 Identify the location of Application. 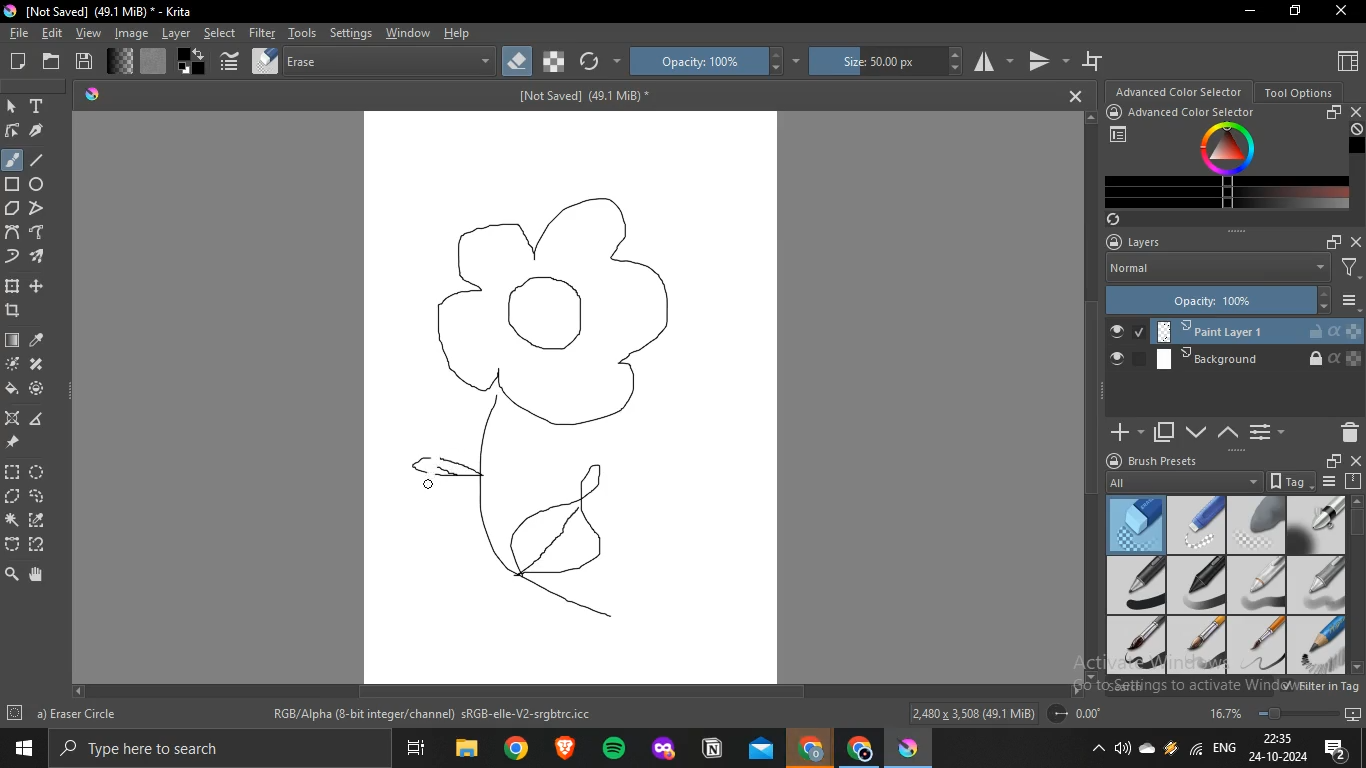
(614, 749).